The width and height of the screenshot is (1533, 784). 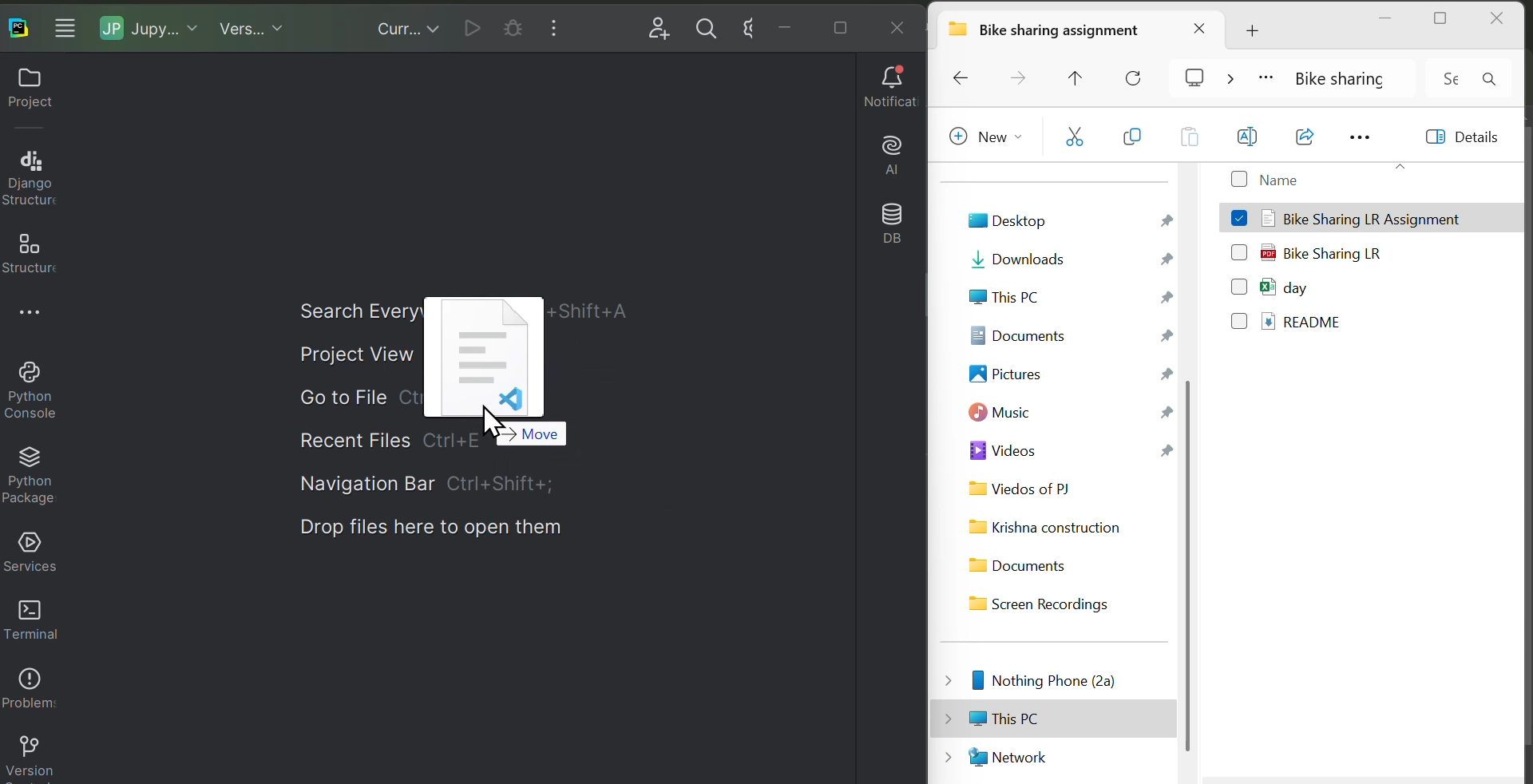 What do you see at coordinates (492, 423) in the screenshot?
I see `Cursor` at bounding box center [492, 423].